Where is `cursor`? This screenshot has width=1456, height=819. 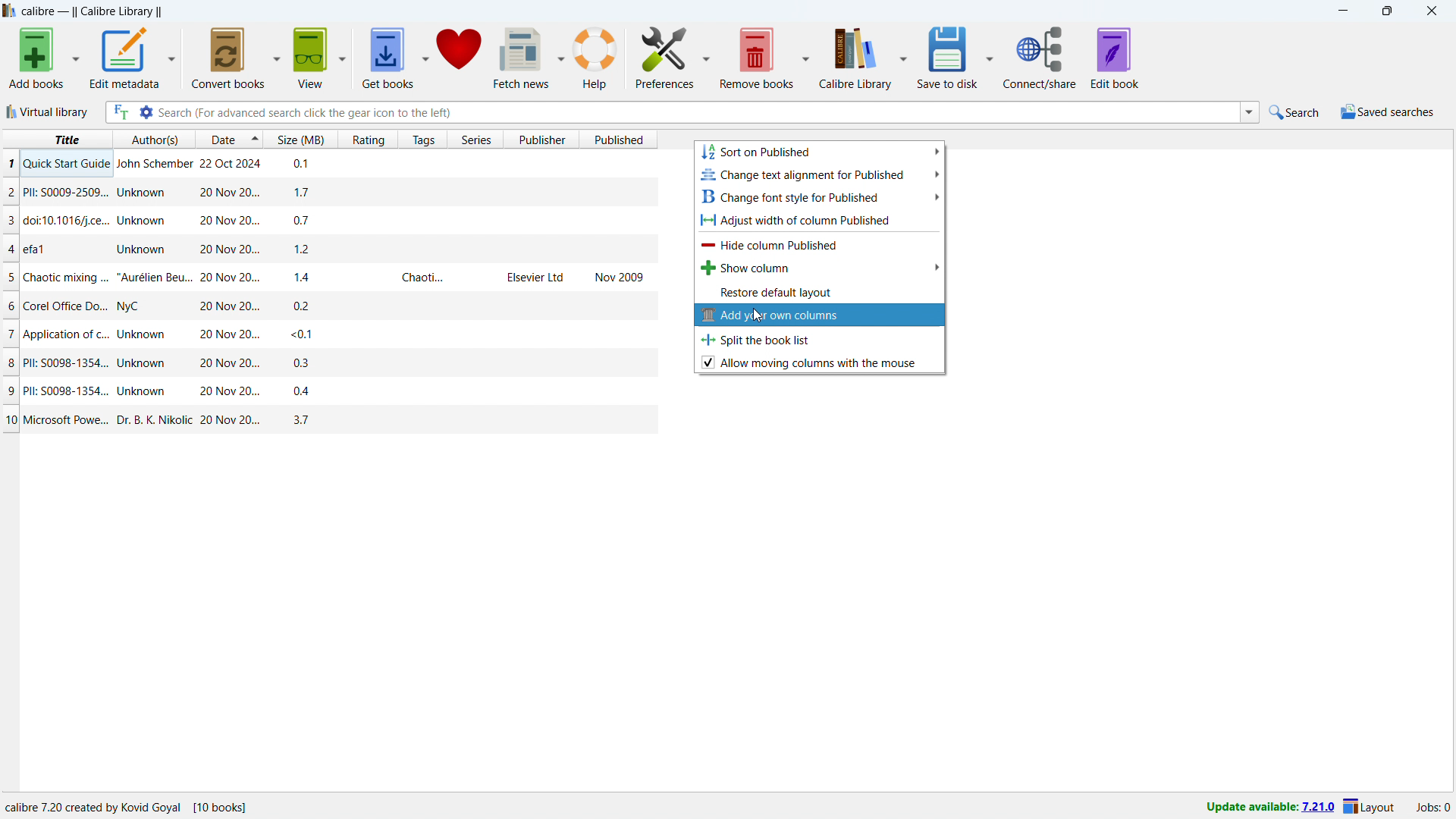
cursor is located at coordinates (759, 315).